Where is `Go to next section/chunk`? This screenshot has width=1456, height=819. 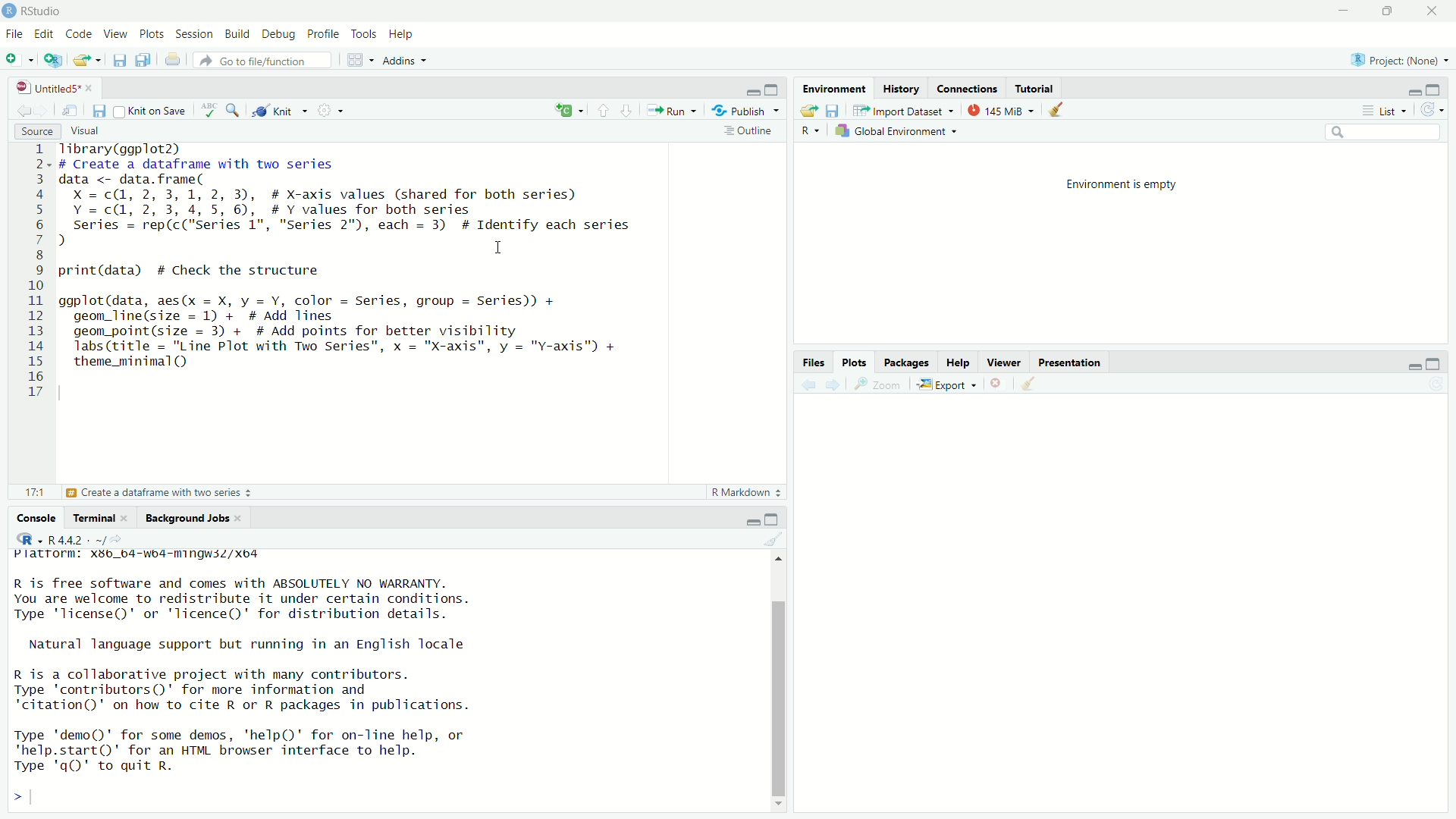 Go to next section/chunk is located at coordinates (629, 112).